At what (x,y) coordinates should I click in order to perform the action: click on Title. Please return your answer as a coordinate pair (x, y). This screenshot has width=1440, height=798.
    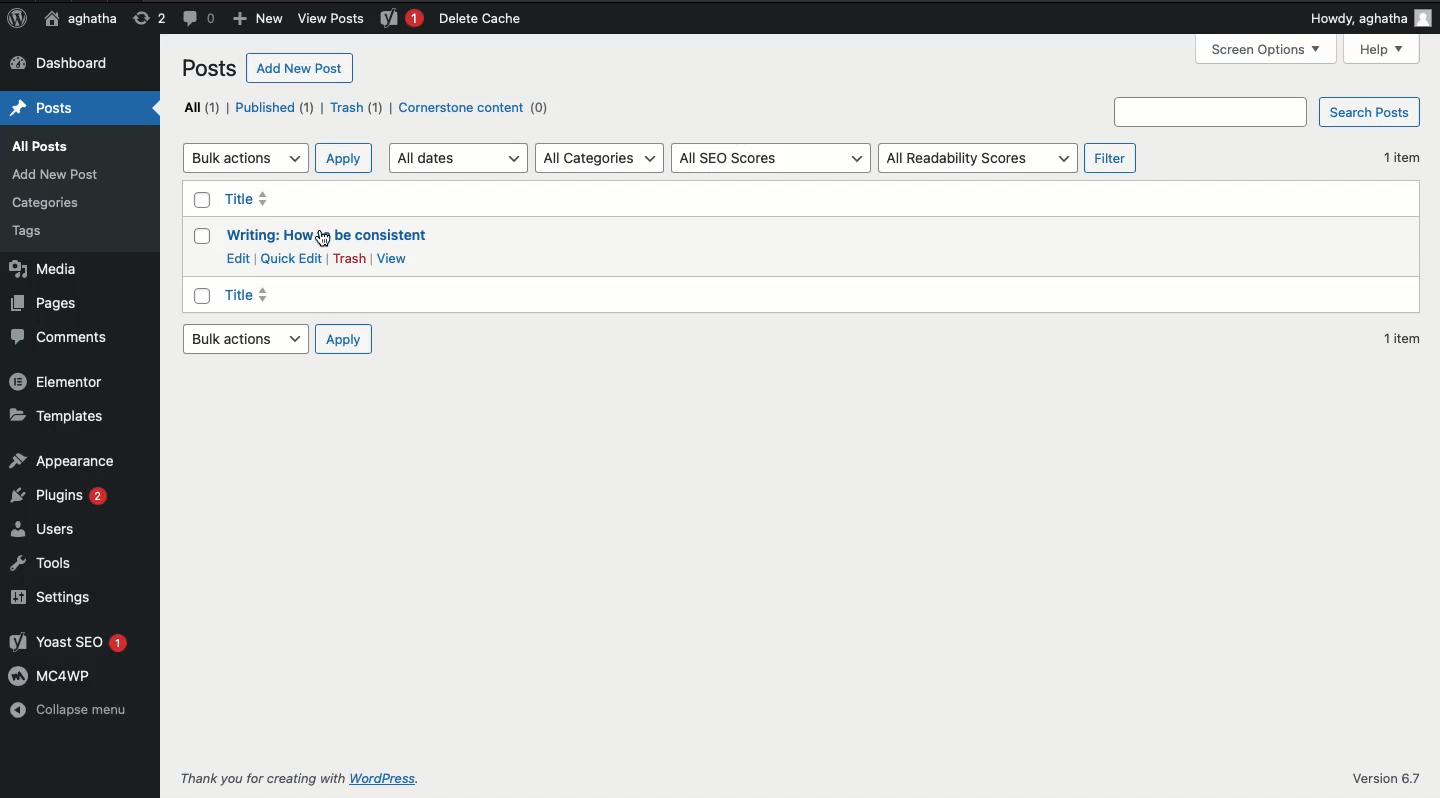
    Looking at the image, I should click on (250, 294).